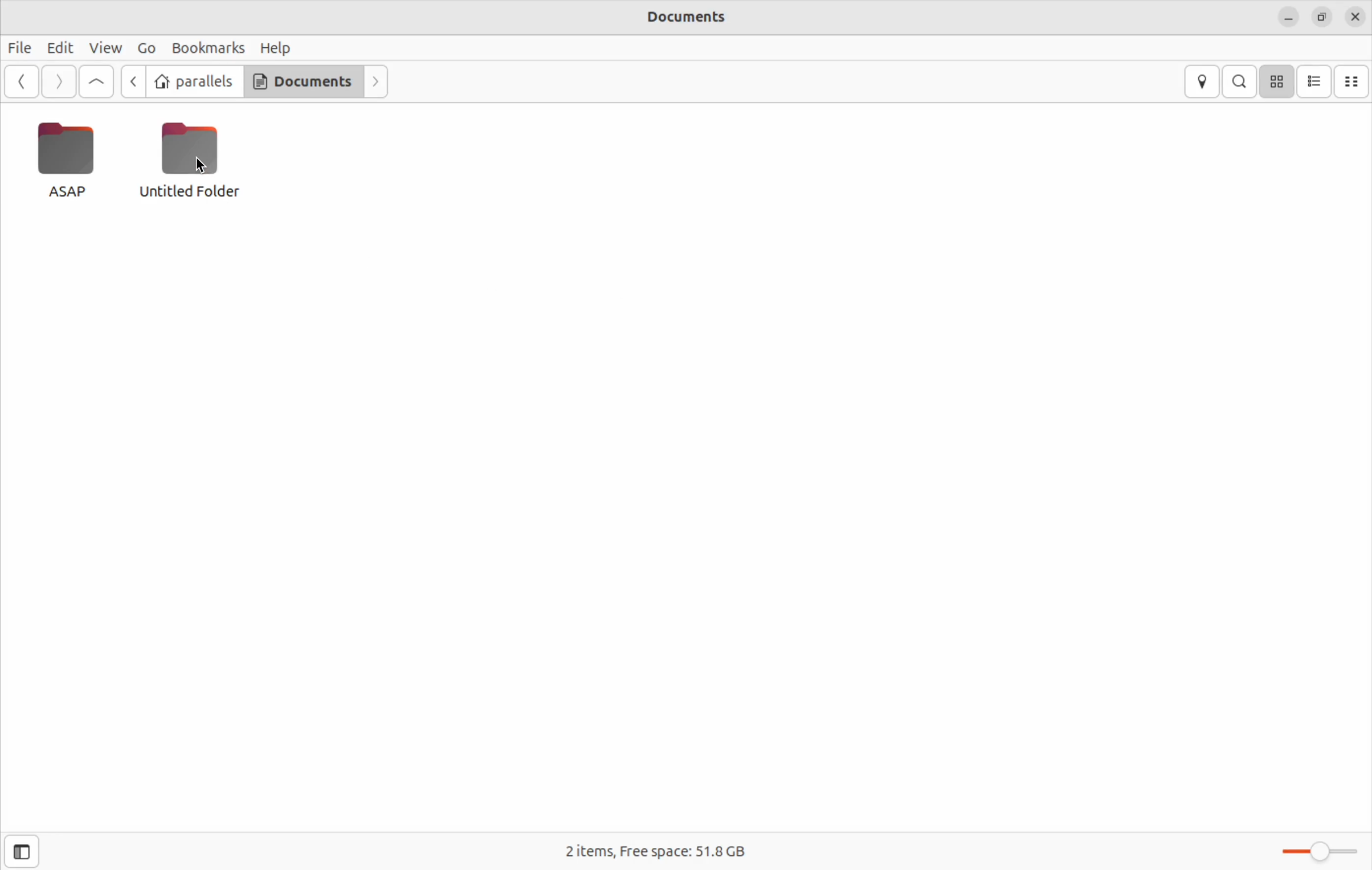 Image resolution: width=1372 pixels, height=870 pixels. What do you see at coordinates (23, 83) in the screenshot?
I see `back` at bounding box center [23, 83].